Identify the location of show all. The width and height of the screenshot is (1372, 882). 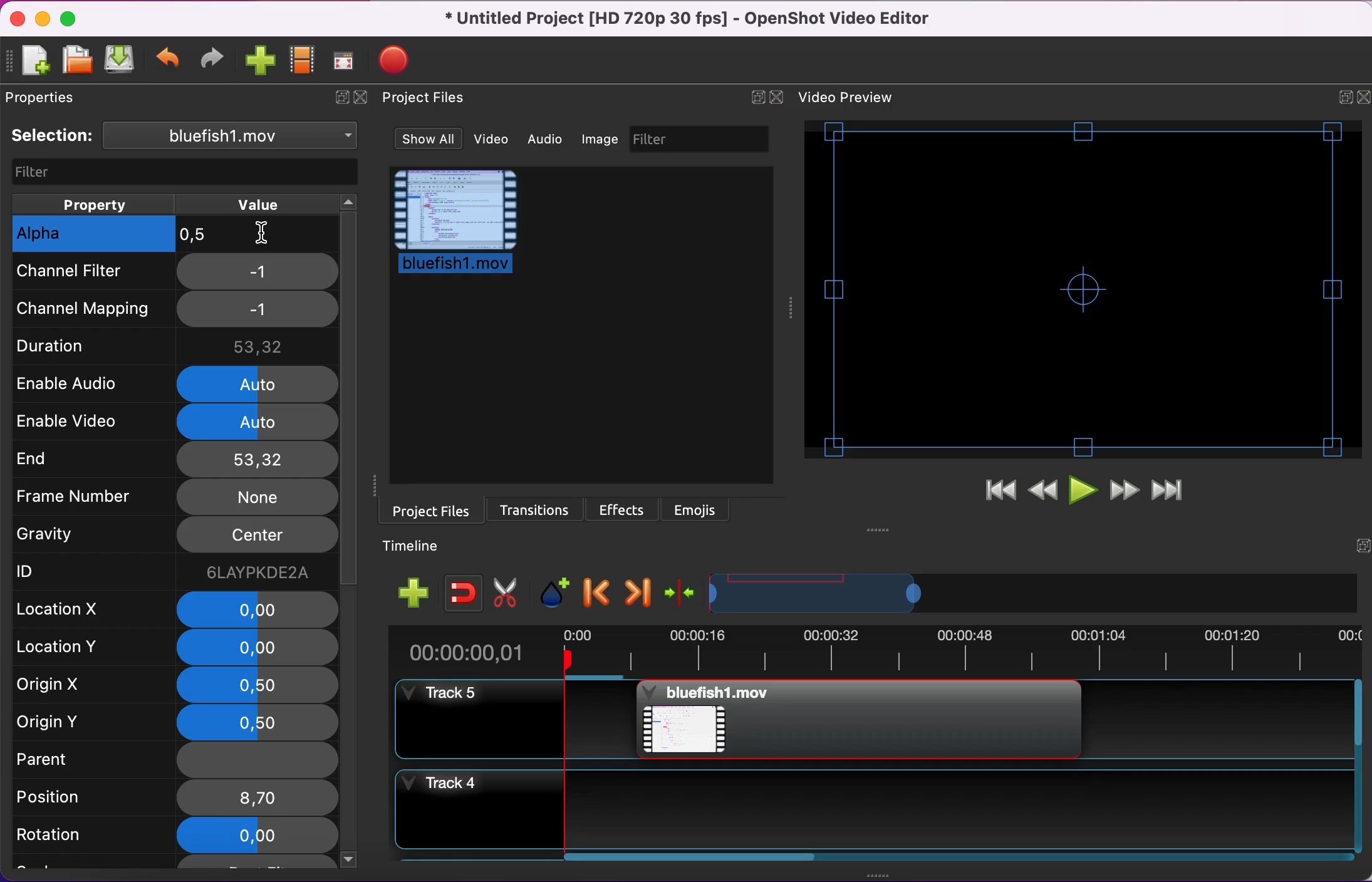
(430, 138).